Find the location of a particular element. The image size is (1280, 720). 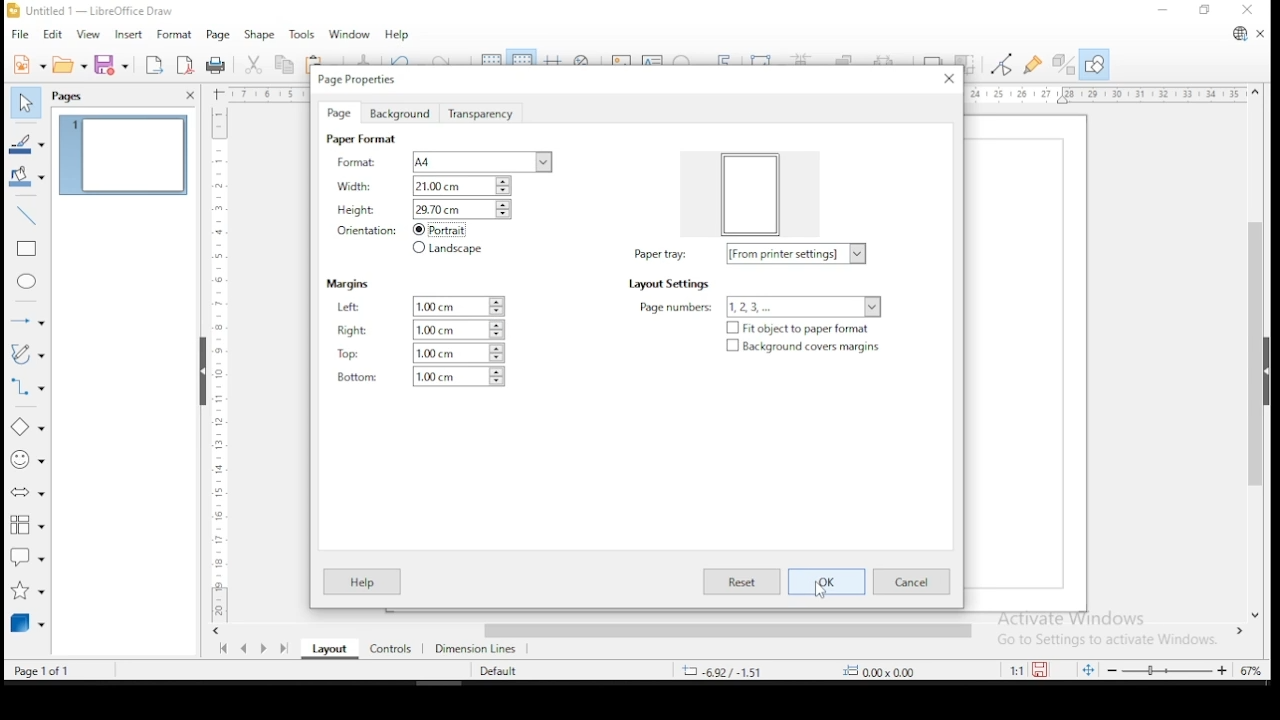

cut is located at coordinates (252, 66).